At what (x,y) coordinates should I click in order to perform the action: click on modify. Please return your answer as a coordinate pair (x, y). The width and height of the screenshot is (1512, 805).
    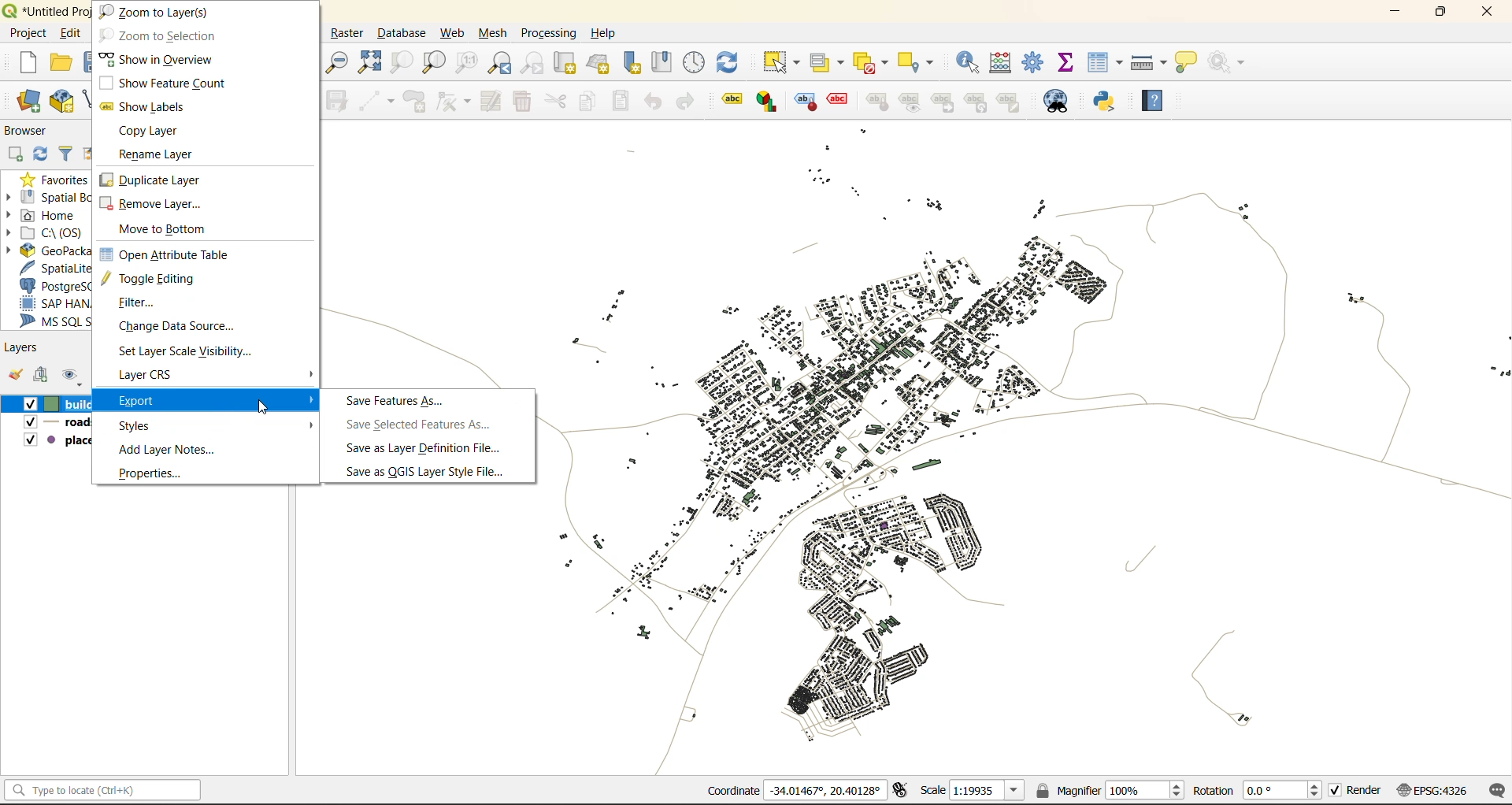
    Looking at the image, I should click on (488, 100).